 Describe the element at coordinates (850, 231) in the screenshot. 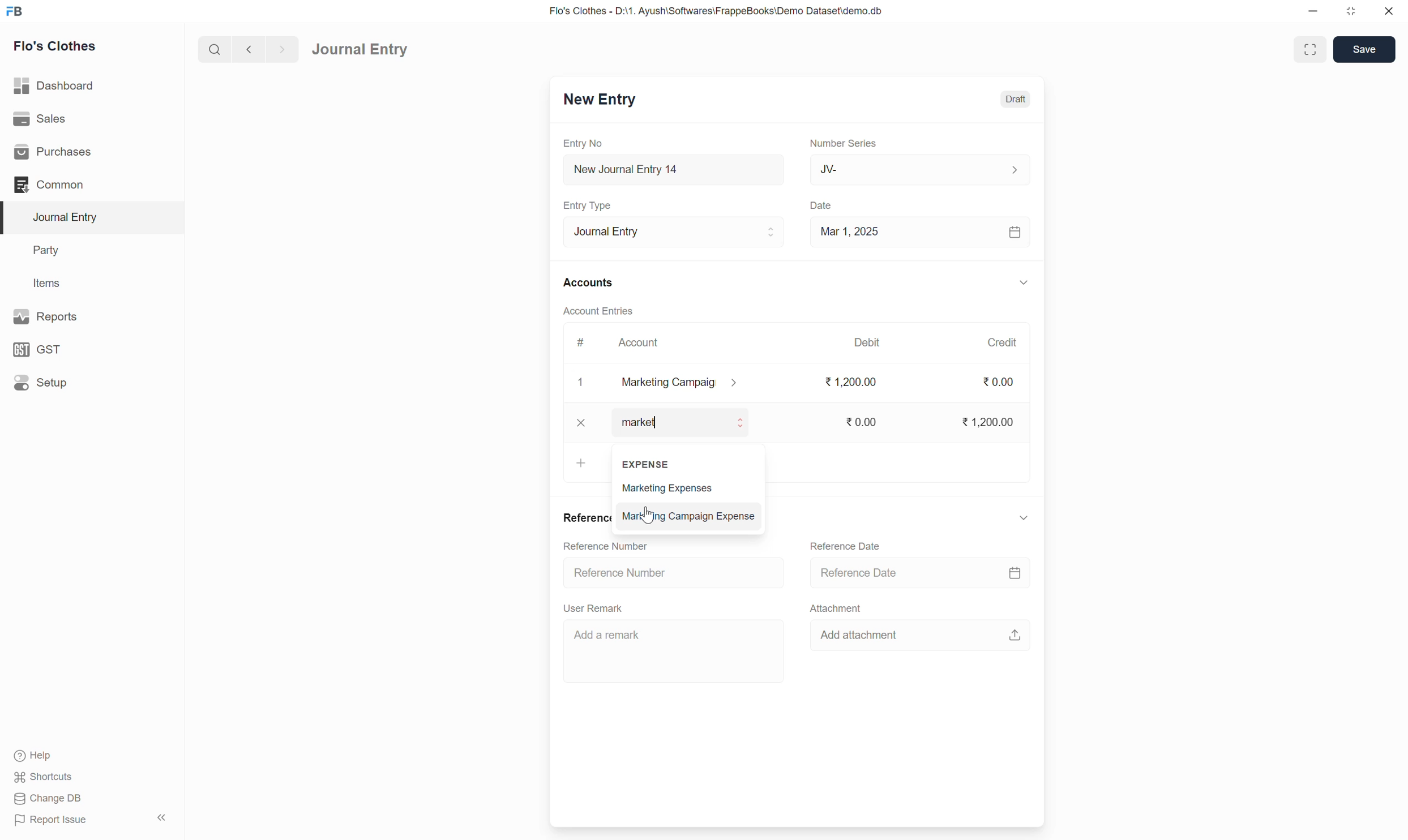

I see `Mar 1, 2025` at that location.